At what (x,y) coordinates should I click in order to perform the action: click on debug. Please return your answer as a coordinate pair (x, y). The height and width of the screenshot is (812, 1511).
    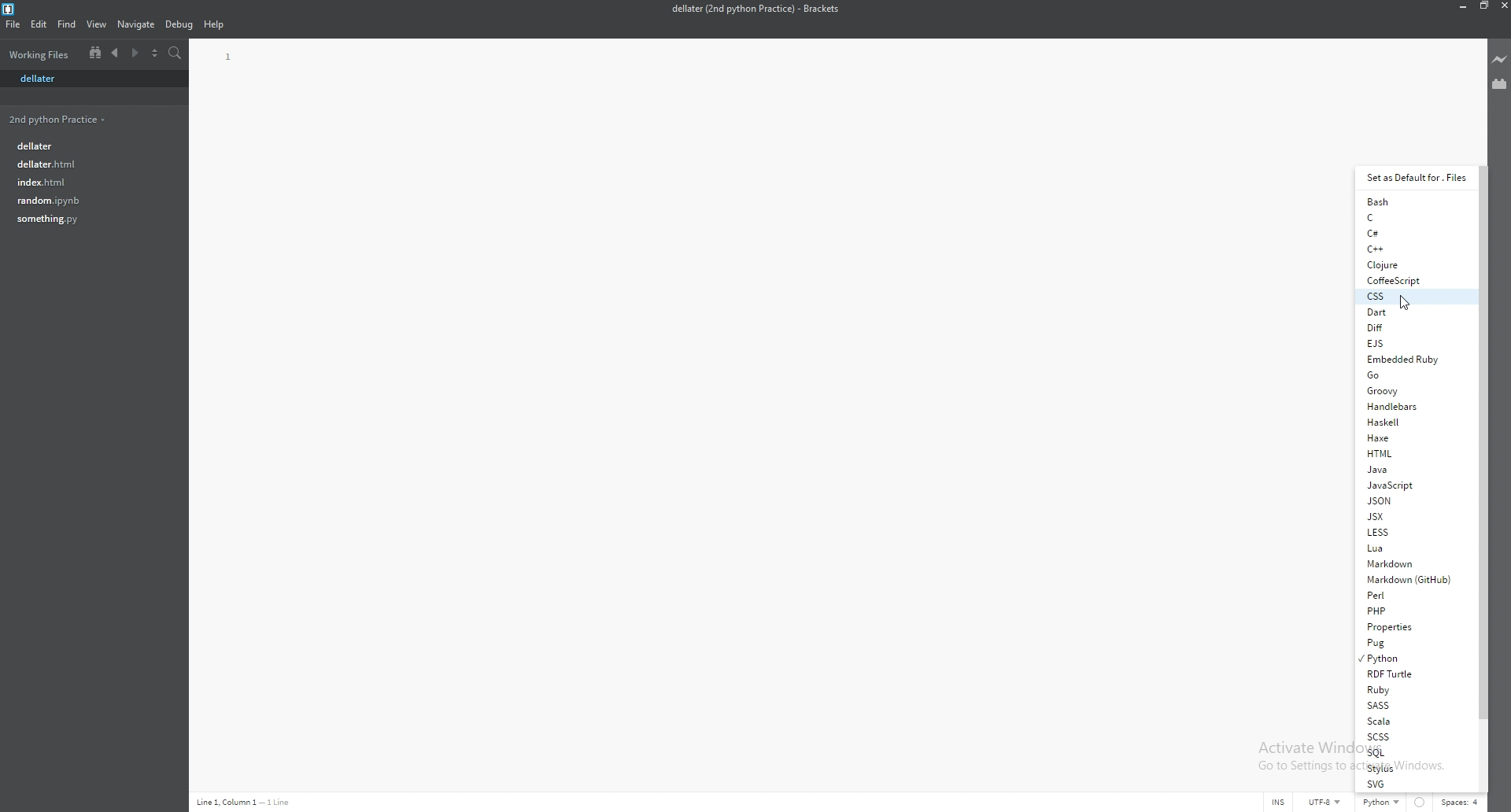
    Looking at the image, I should click on (179, 25).